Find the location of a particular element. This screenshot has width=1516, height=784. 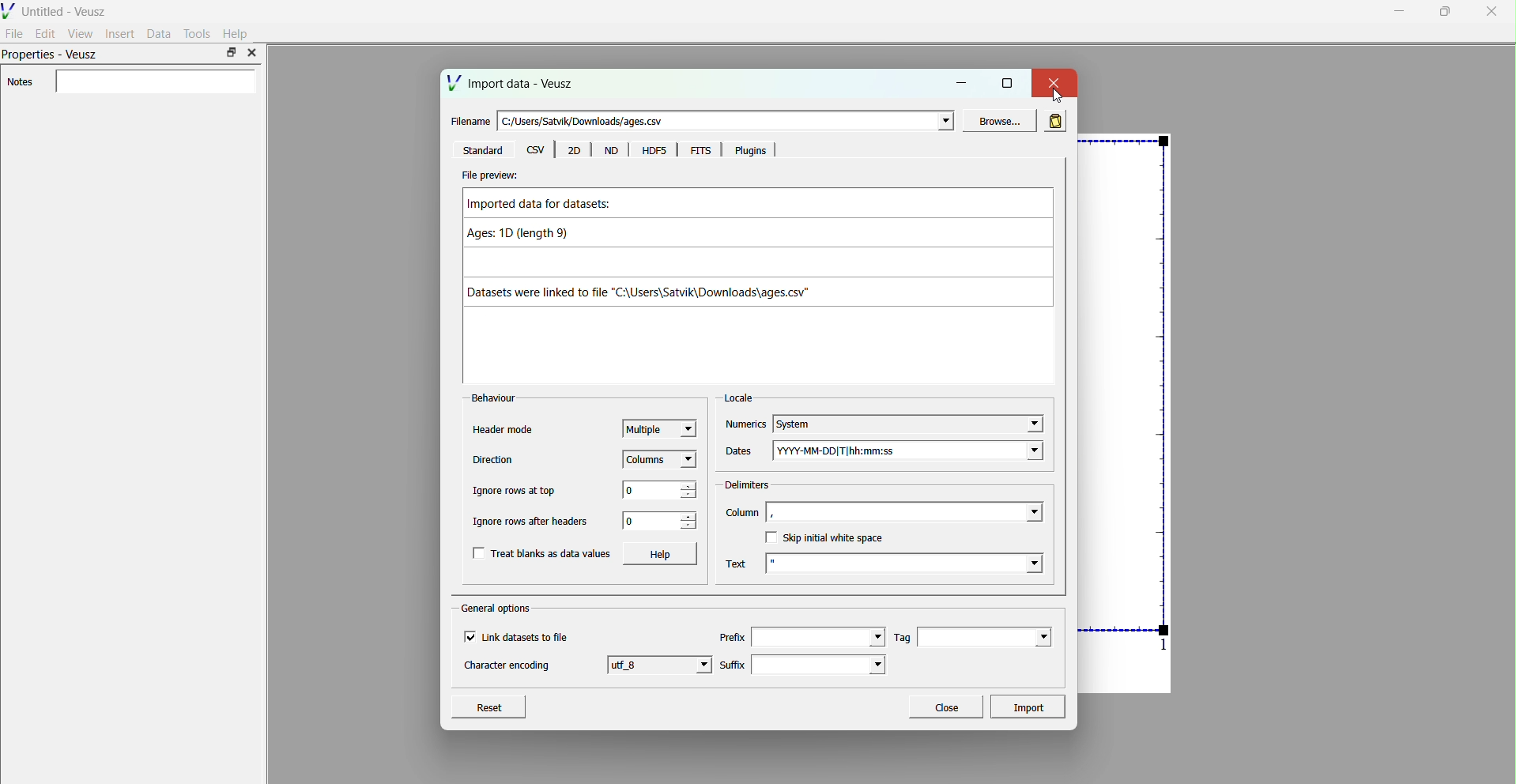

Text is located at coordinates (736, 564).